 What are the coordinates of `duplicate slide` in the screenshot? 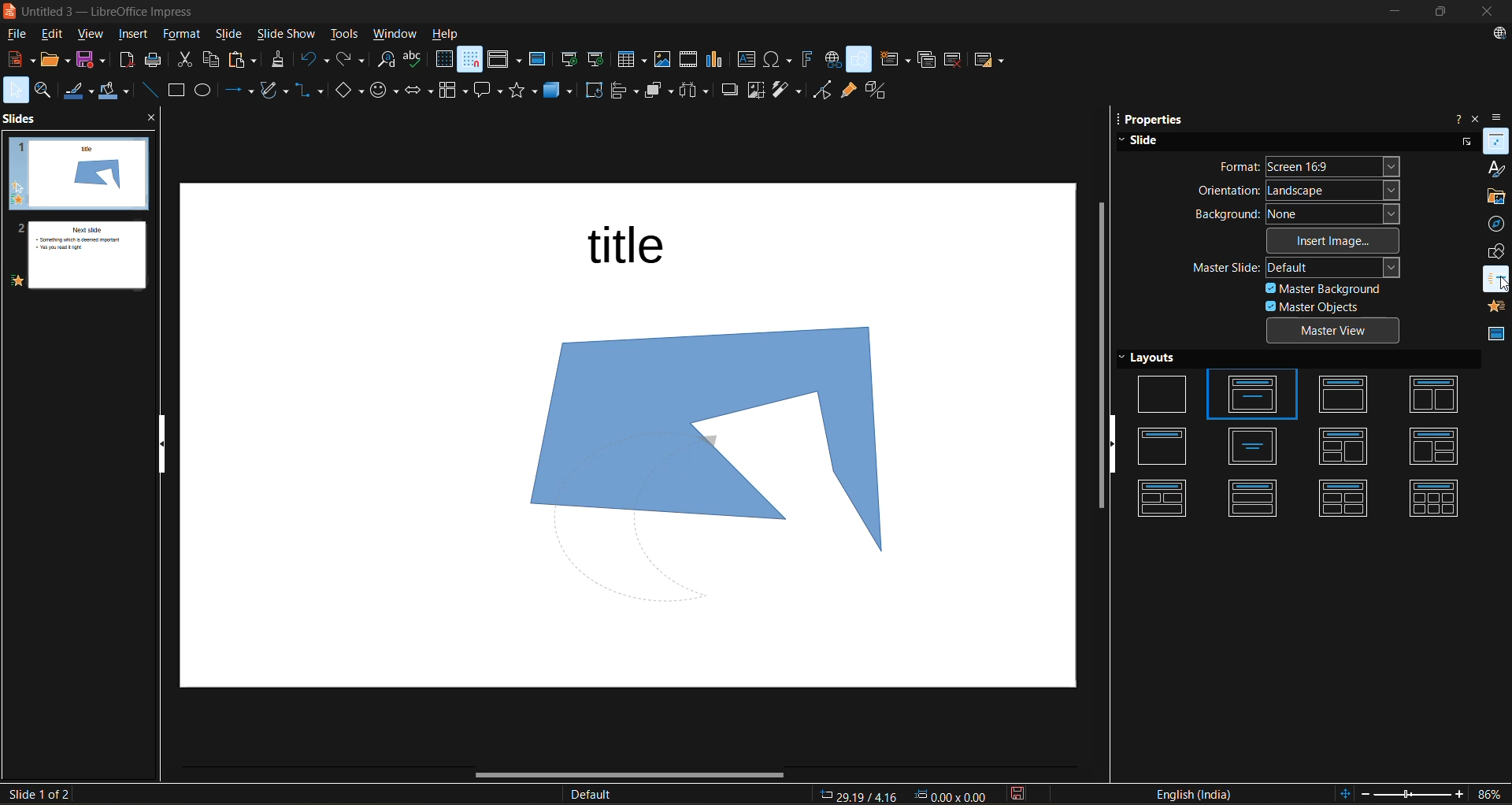 It's located at (926, 59).